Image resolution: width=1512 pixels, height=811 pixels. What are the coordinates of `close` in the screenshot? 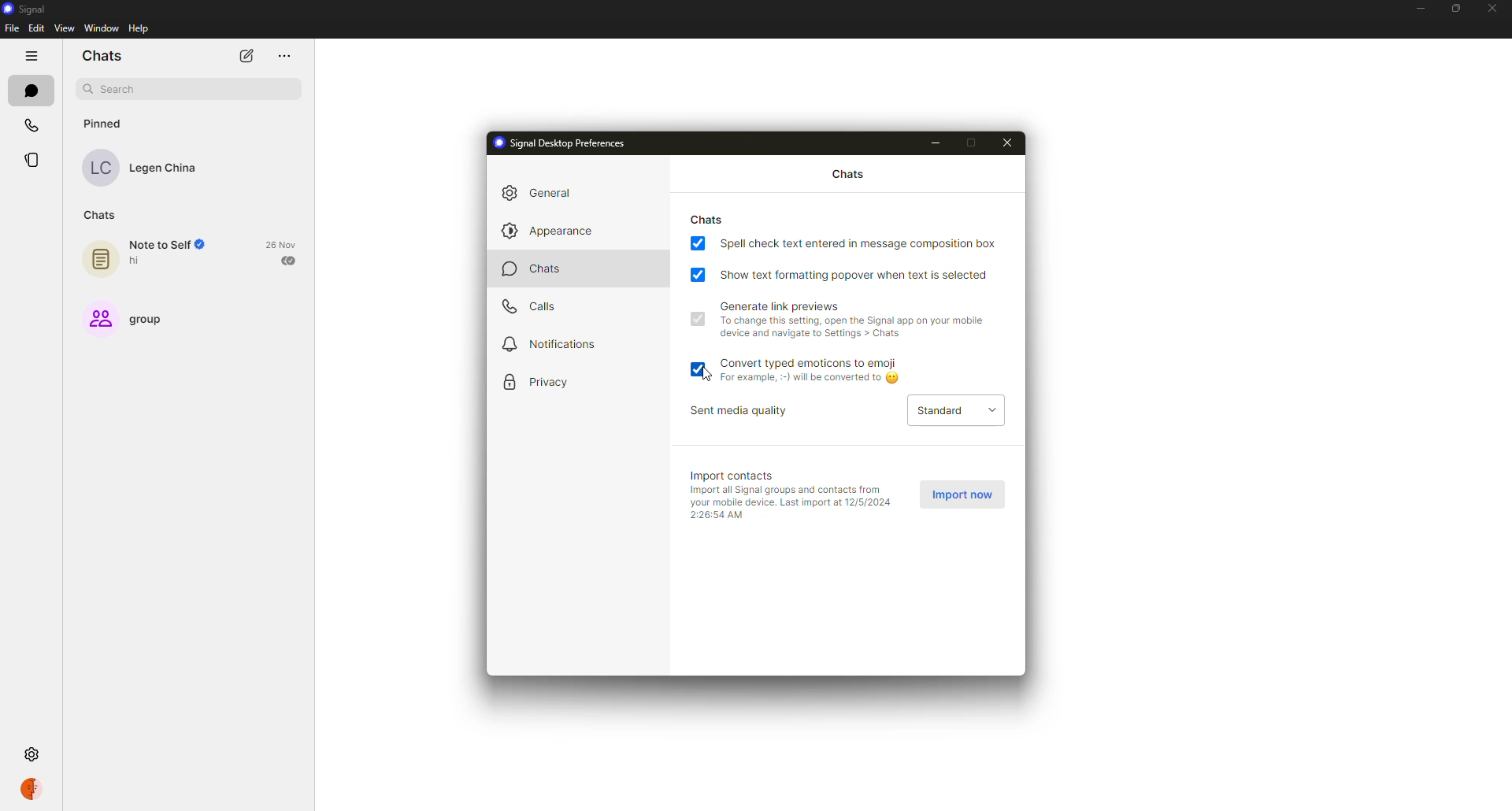 It's located at (1493, 9).